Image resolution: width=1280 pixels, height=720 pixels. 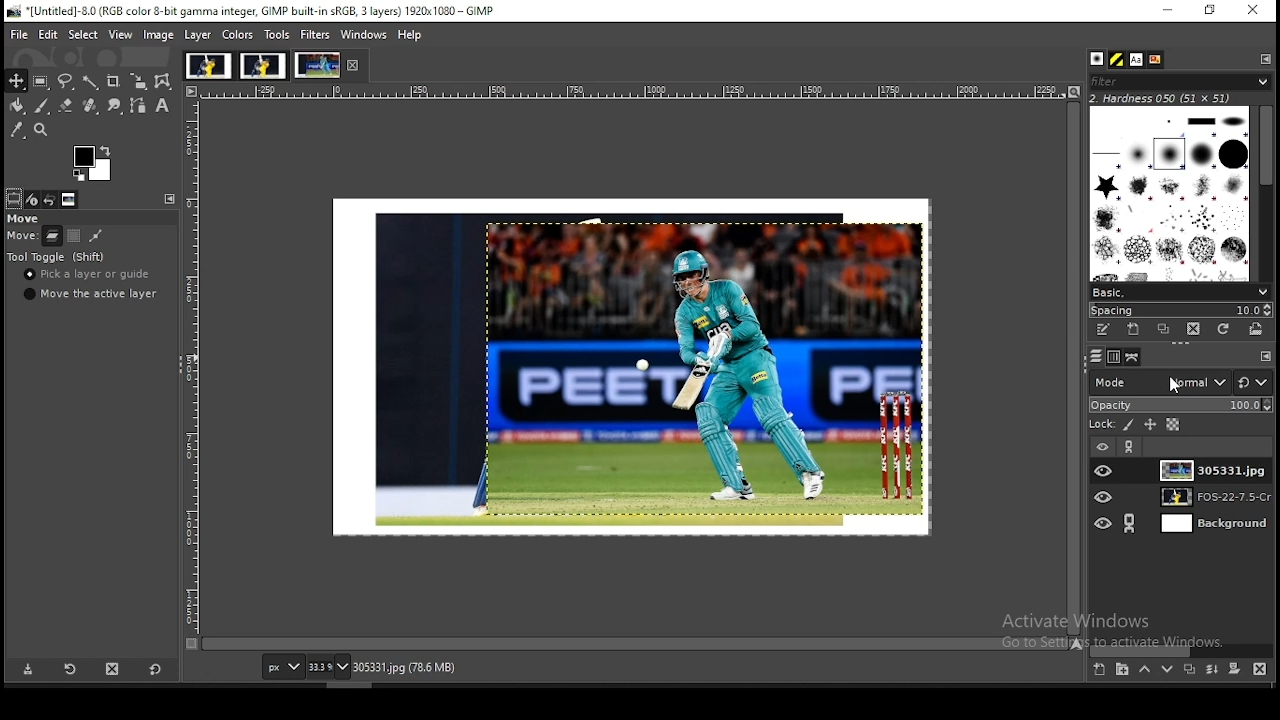 What do you see at coordinates (189, 367) in the screenshot?
I see `verttical scale` at bounding box center [189, 367].